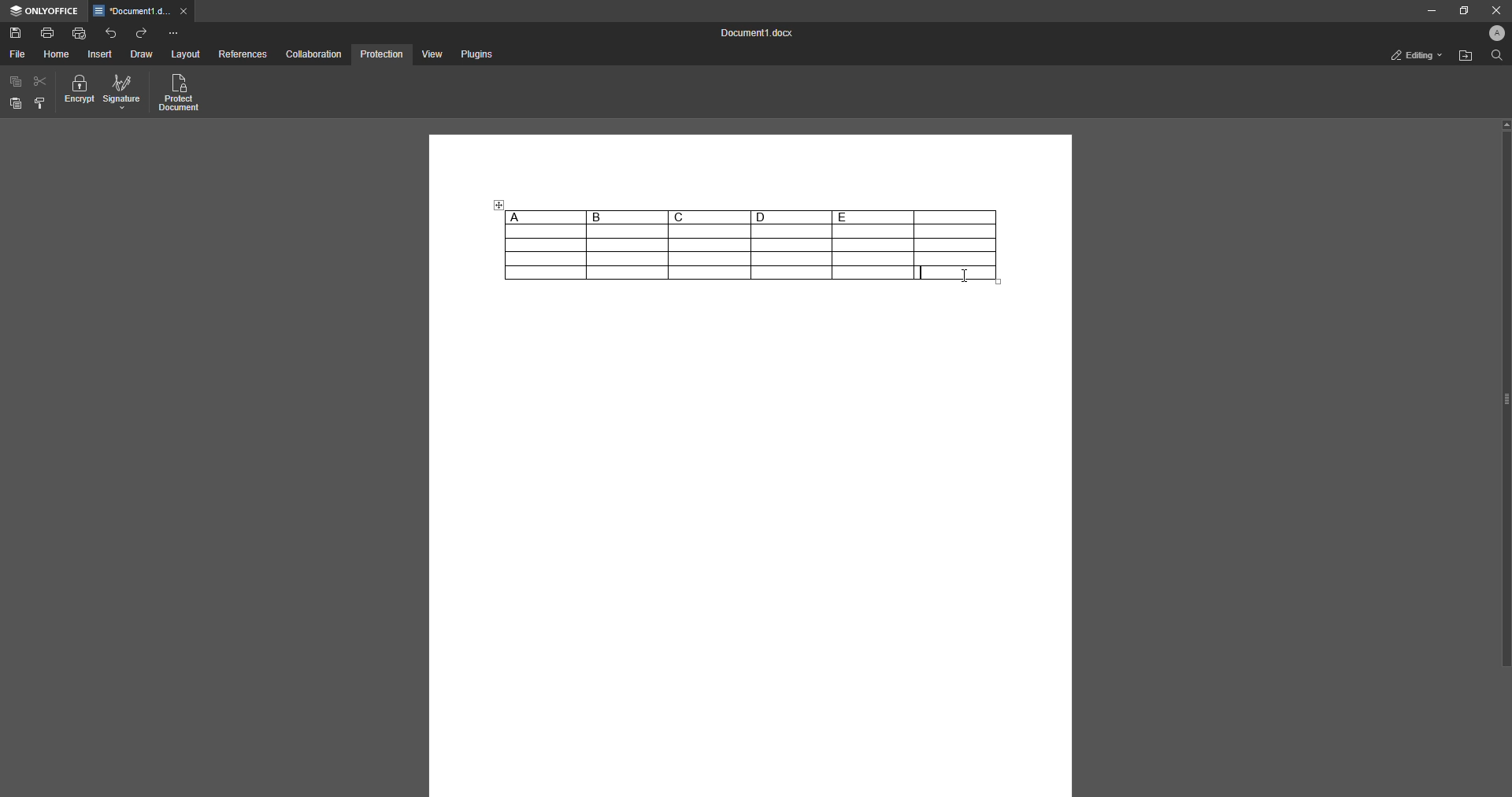  I want to click on Cut, so click(41, 80).